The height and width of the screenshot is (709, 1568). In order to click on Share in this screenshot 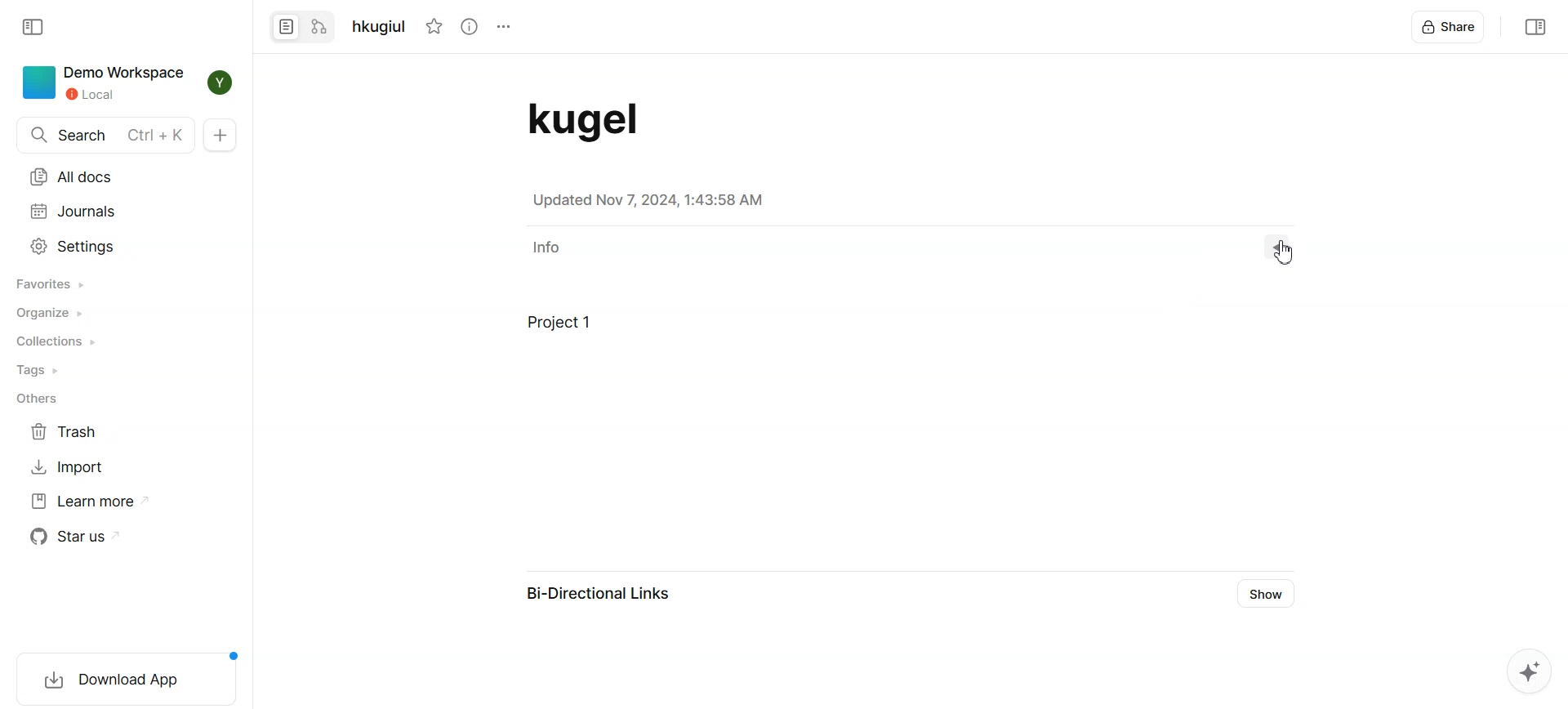, I will do `click(1450, 27)`.